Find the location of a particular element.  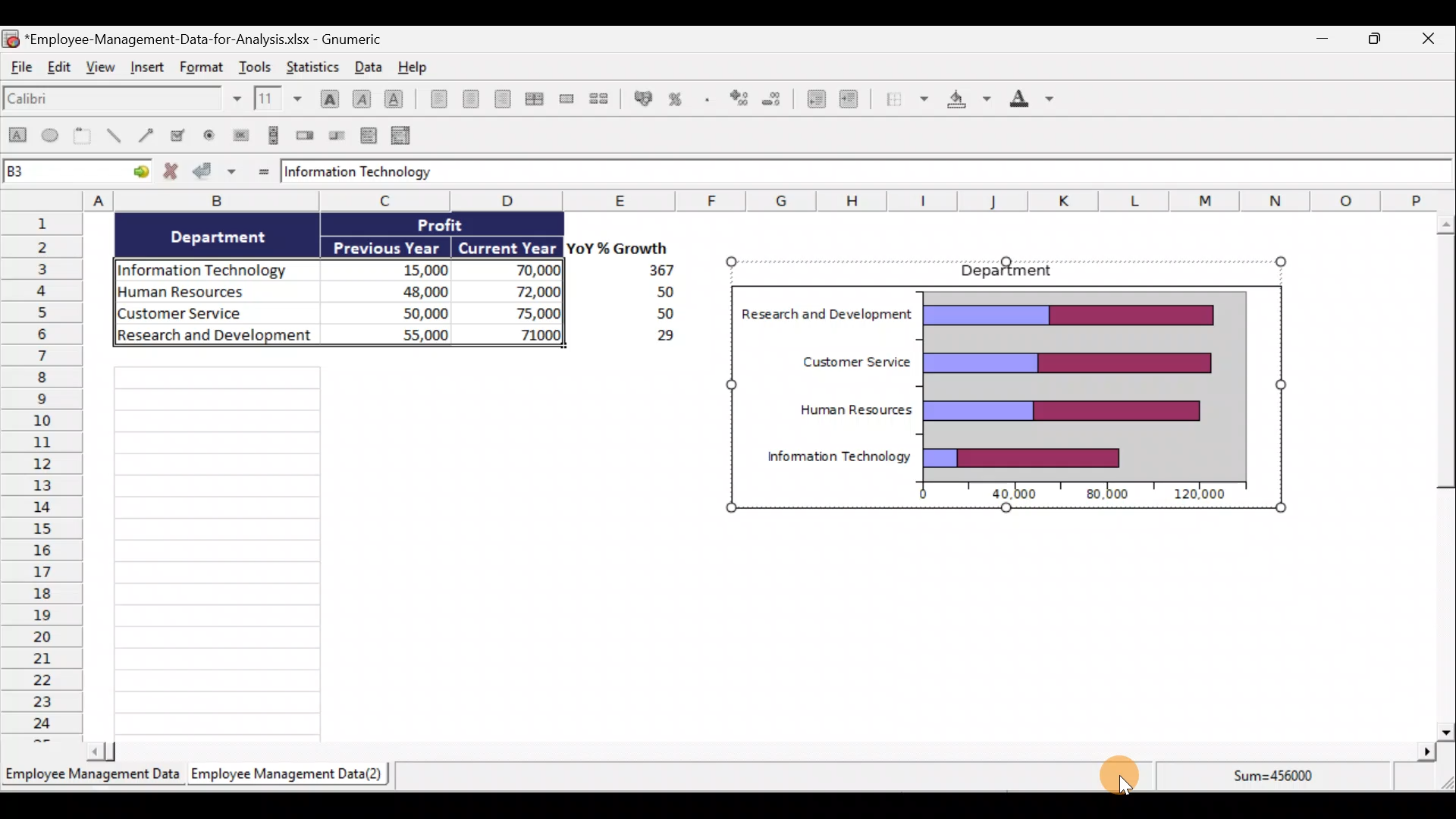

Format the selection as accounting is located at coordinates (640, 98).